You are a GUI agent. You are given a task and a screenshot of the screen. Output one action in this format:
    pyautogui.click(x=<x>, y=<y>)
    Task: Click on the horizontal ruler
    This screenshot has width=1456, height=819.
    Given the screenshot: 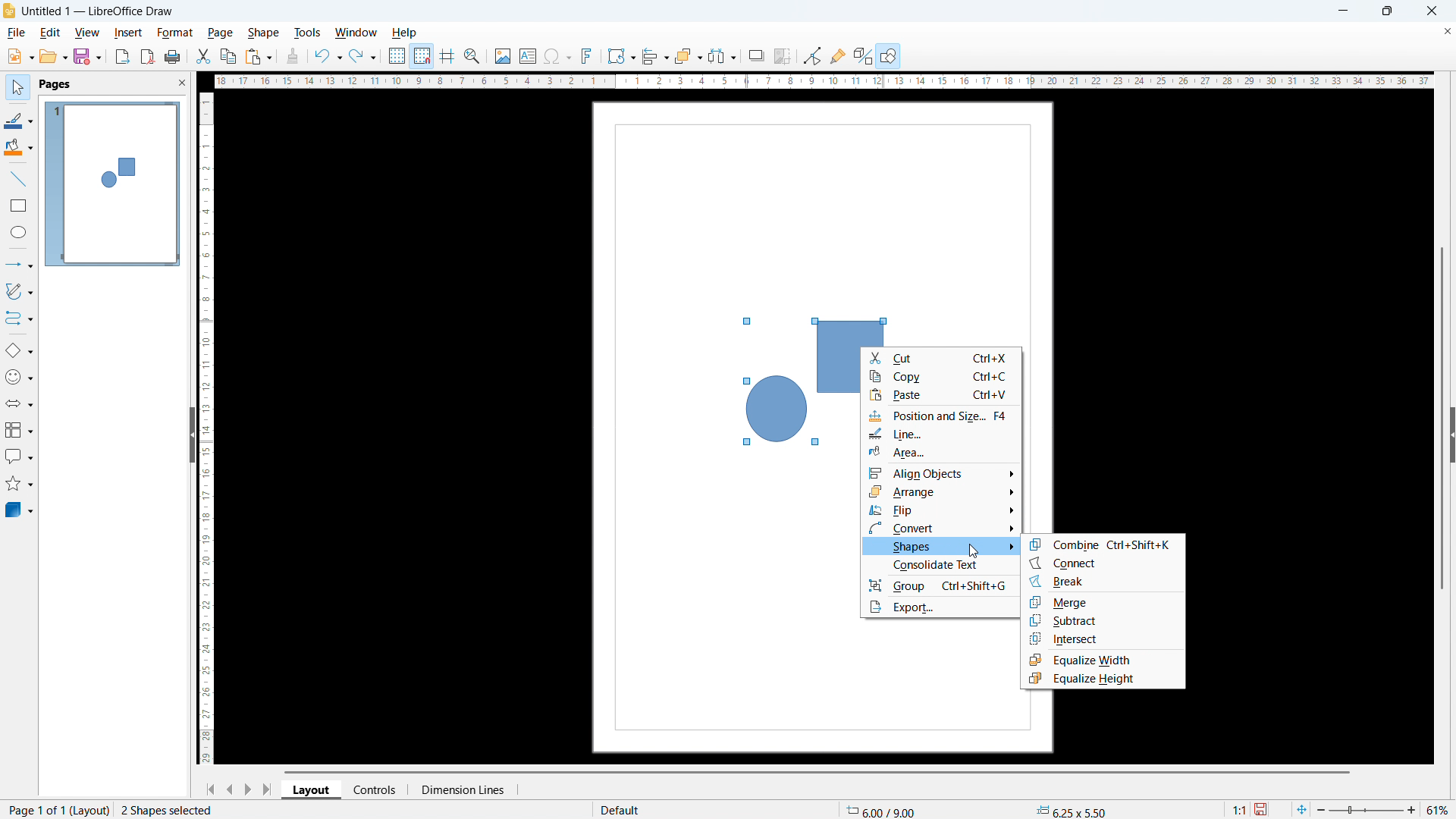 What is the action you would take?
    pyautogui.click(x=823, y=81)
    